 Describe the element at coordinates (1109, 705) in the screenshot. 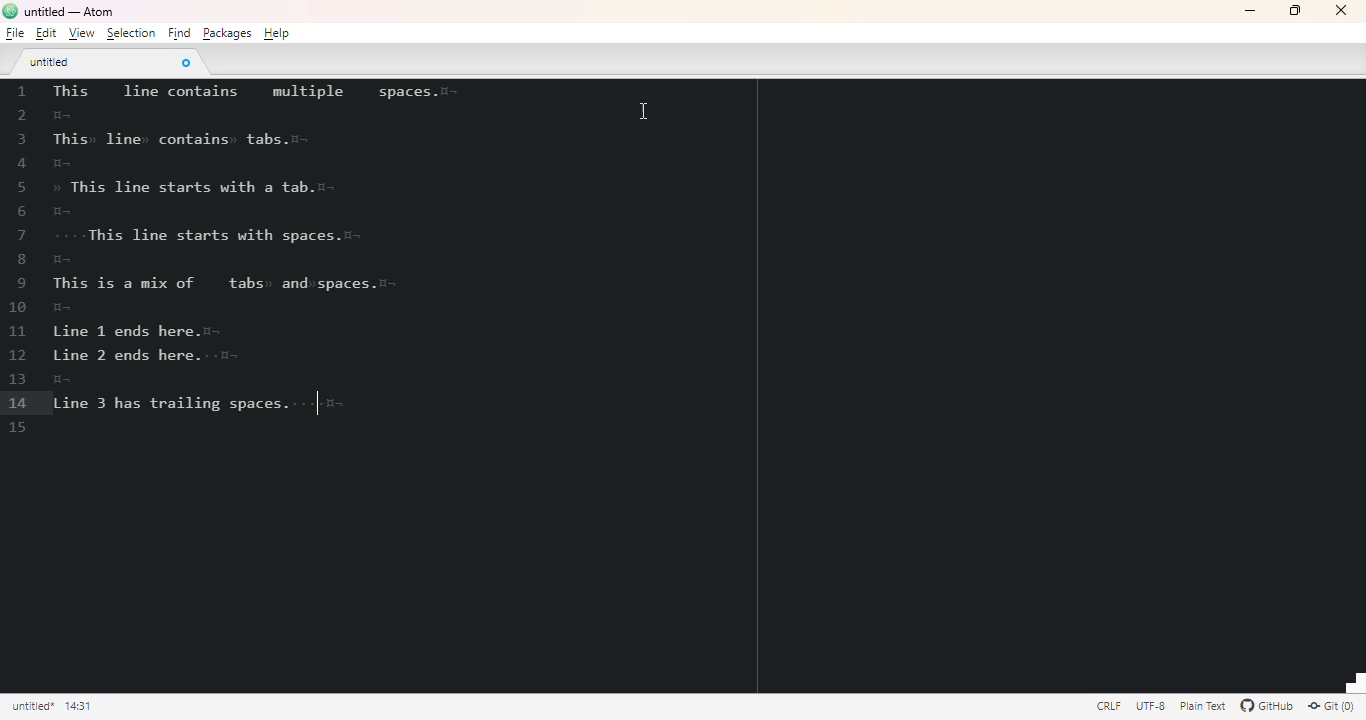

I see `file uses CRLF file endings` at that location.